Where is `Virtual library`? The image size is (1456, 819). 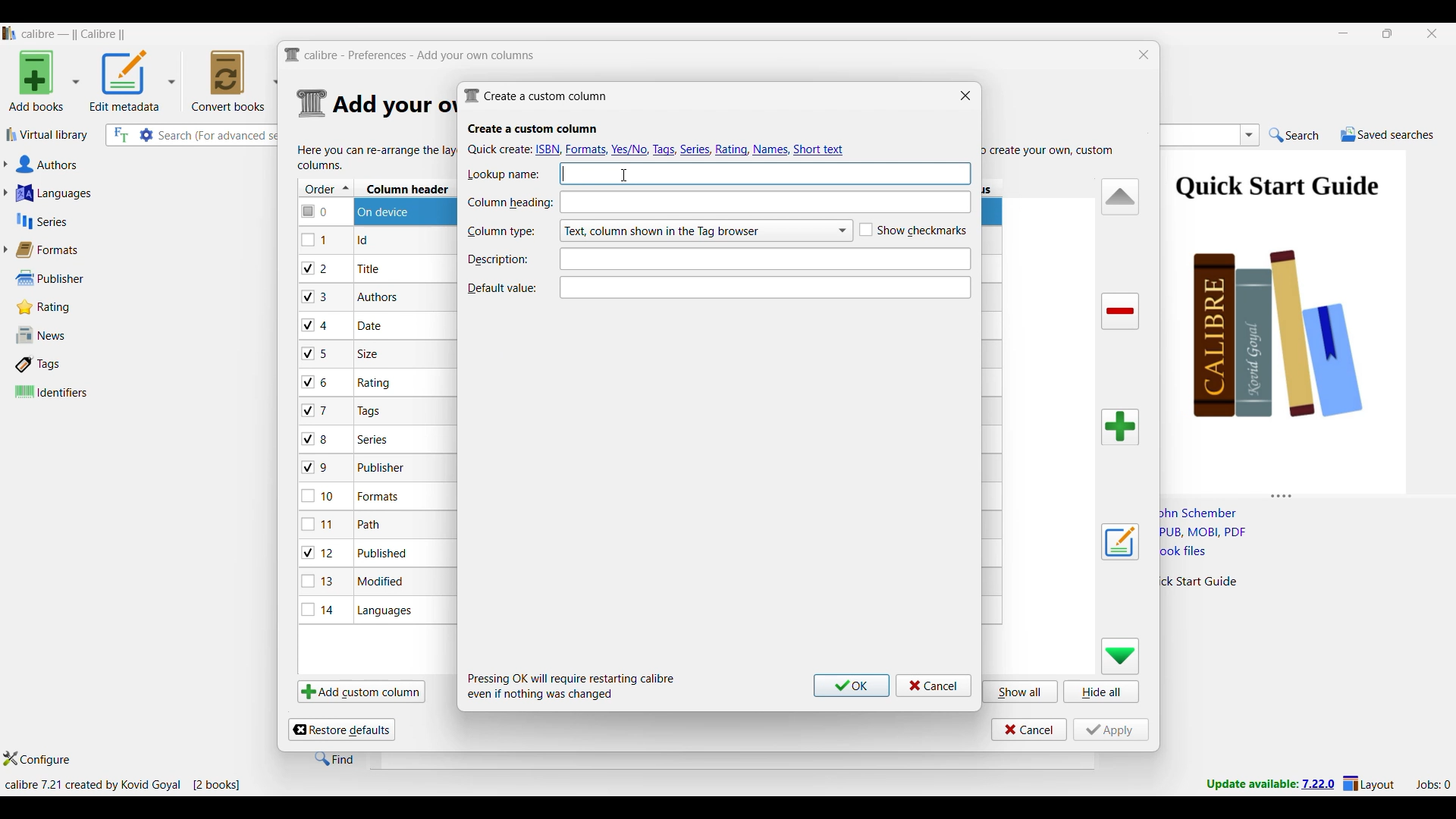 Virtual library is located at coordinates (48, 134).